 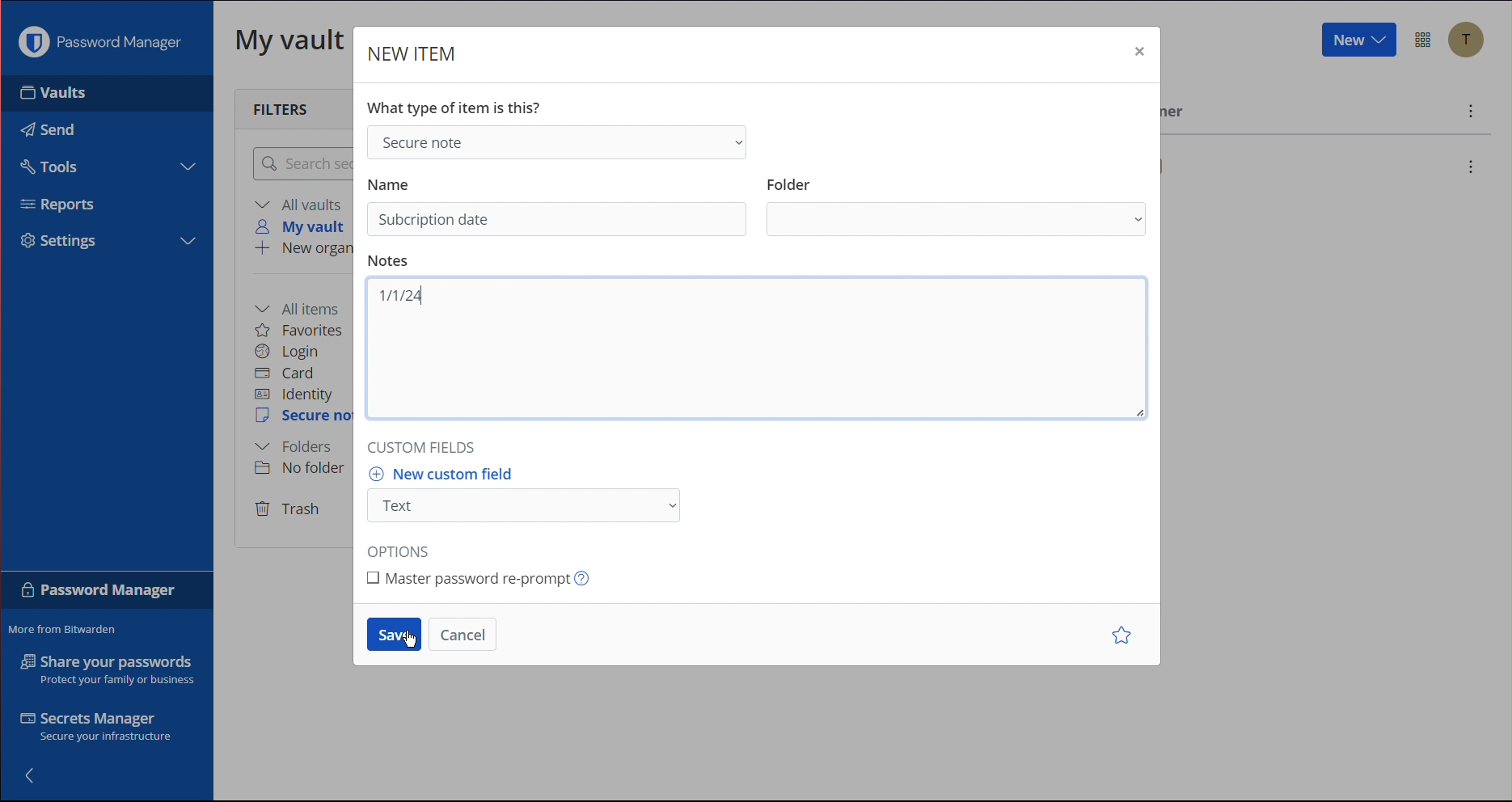 What do you see at coordinates (459, 105) in the screenshot?
I see `What type of item is this?` at bounding box center [459, 105].